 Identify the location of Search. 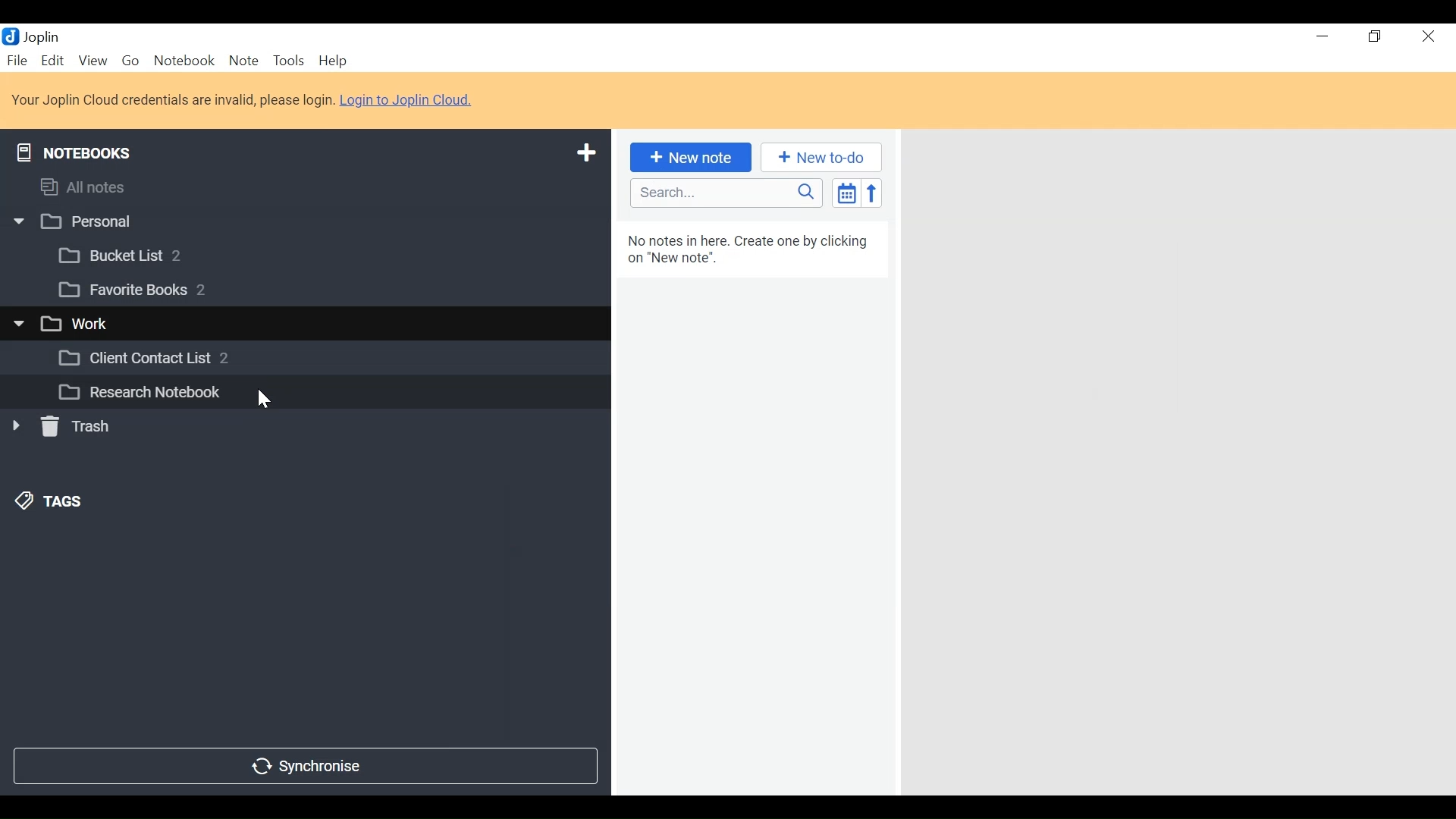
(724, 193).